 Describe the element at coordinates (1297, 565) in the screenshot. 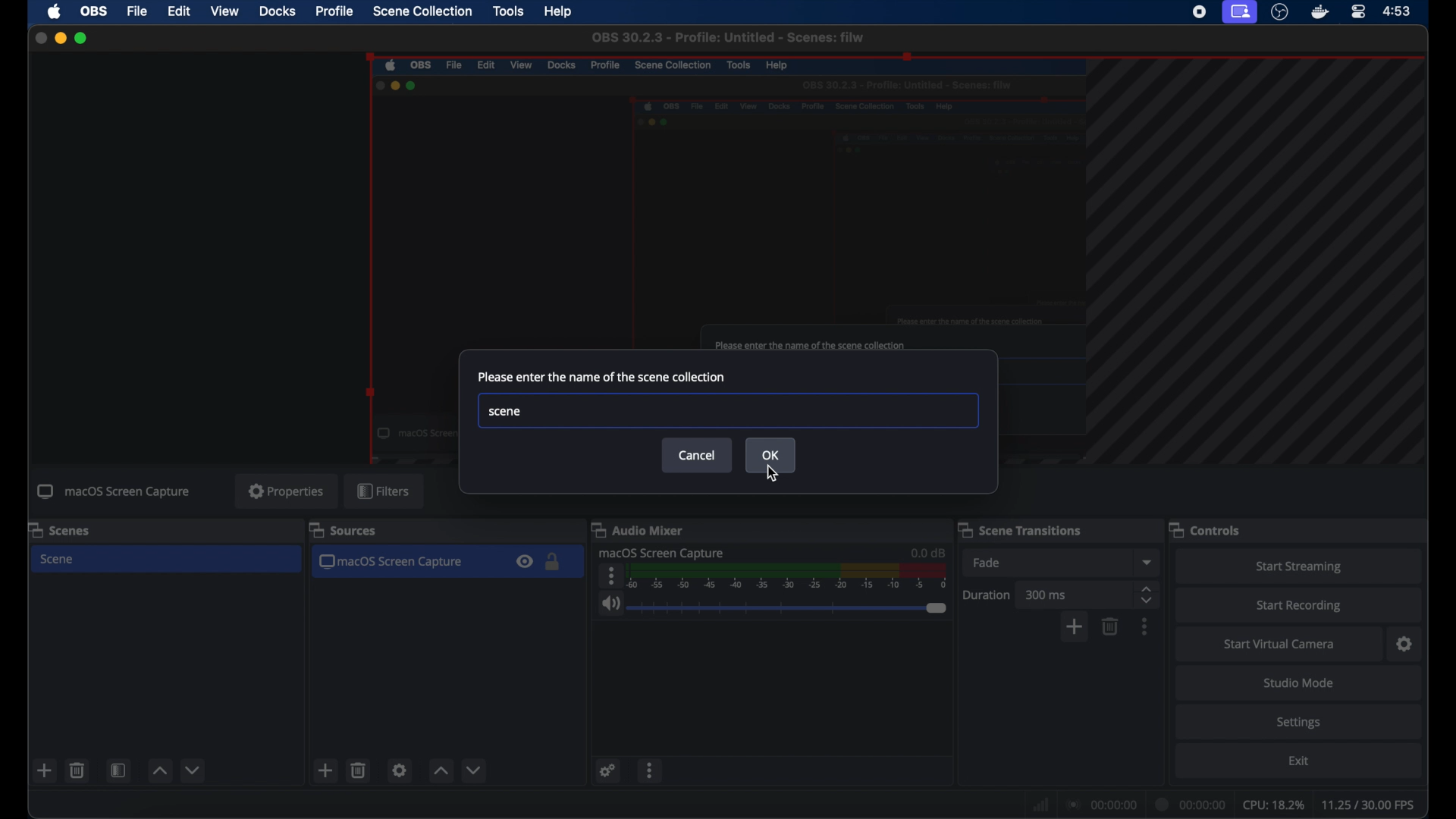

I see `start streaming` at that location.